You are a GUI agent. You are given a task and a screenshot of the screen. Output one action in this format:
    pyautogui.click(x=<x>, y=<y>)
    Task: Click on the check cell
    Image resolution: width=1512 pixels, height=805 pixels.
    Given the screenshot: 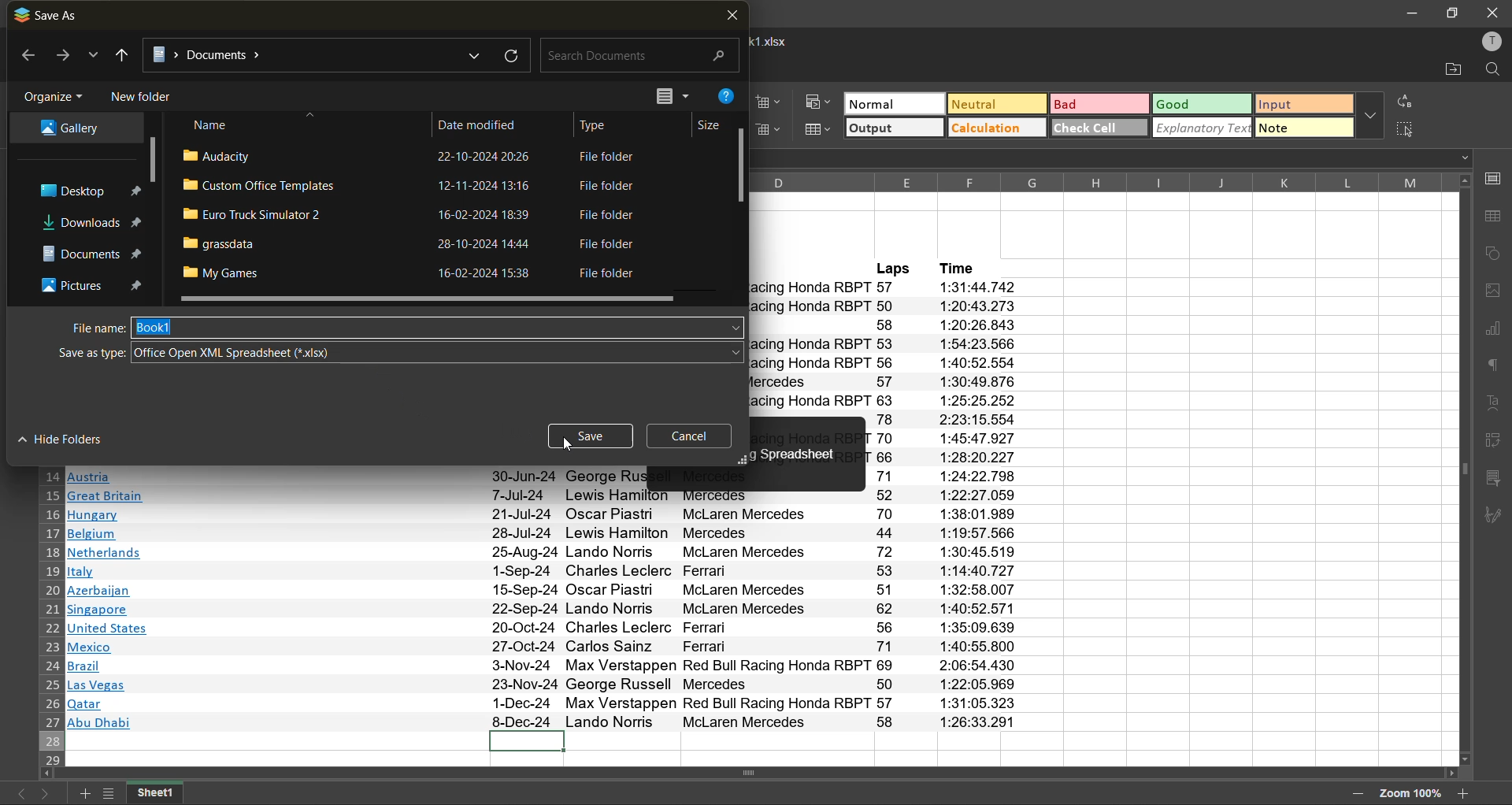 What is the action you would take?
    pyautogui.click(x=1101, y=127)
    